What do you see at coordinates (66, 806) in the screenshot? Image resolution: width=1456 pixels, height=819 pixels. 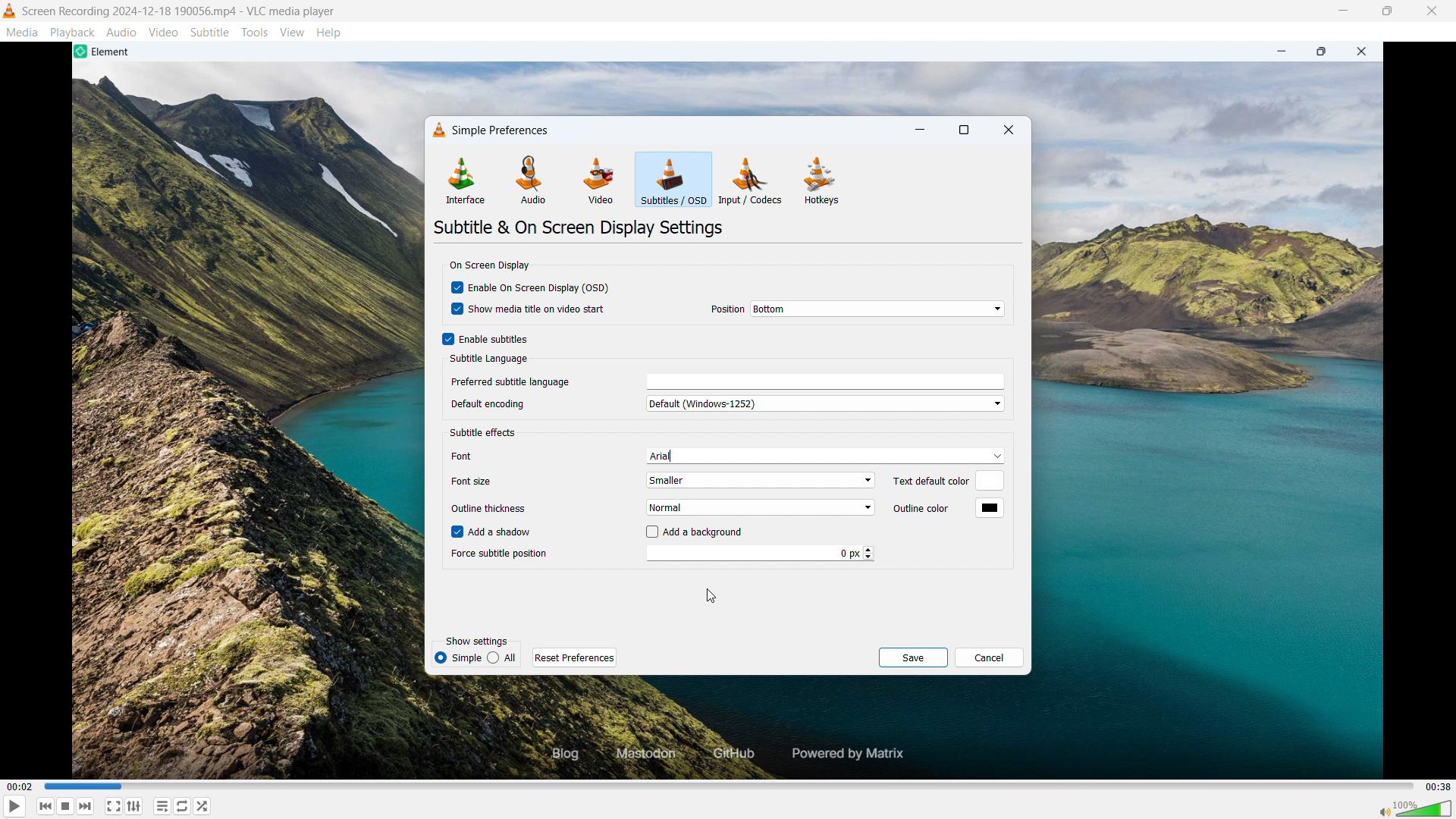 I see `stop playback` at bounding box center [66, 806].